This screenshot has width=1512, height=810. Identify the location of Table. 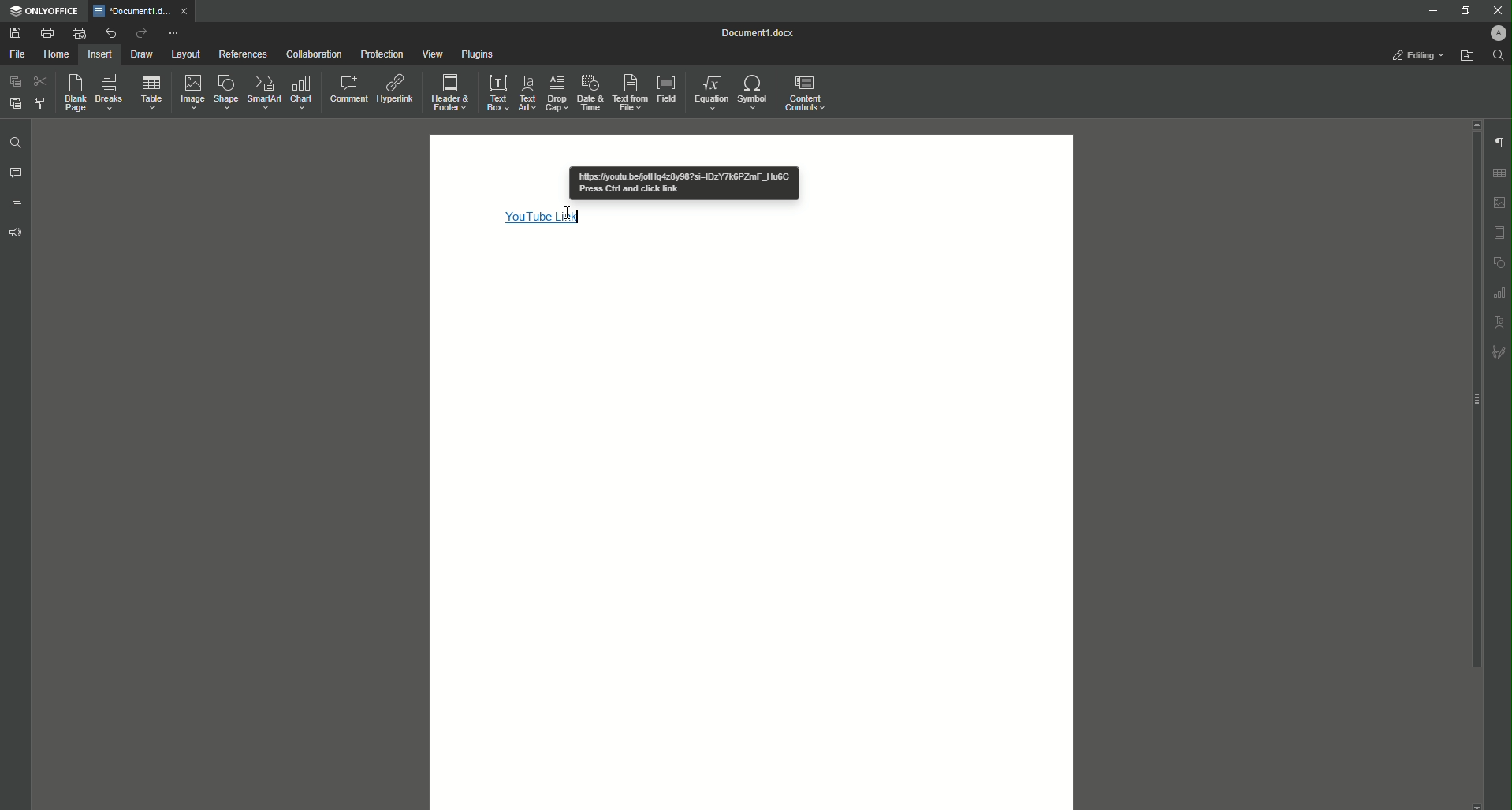
(153, 93).